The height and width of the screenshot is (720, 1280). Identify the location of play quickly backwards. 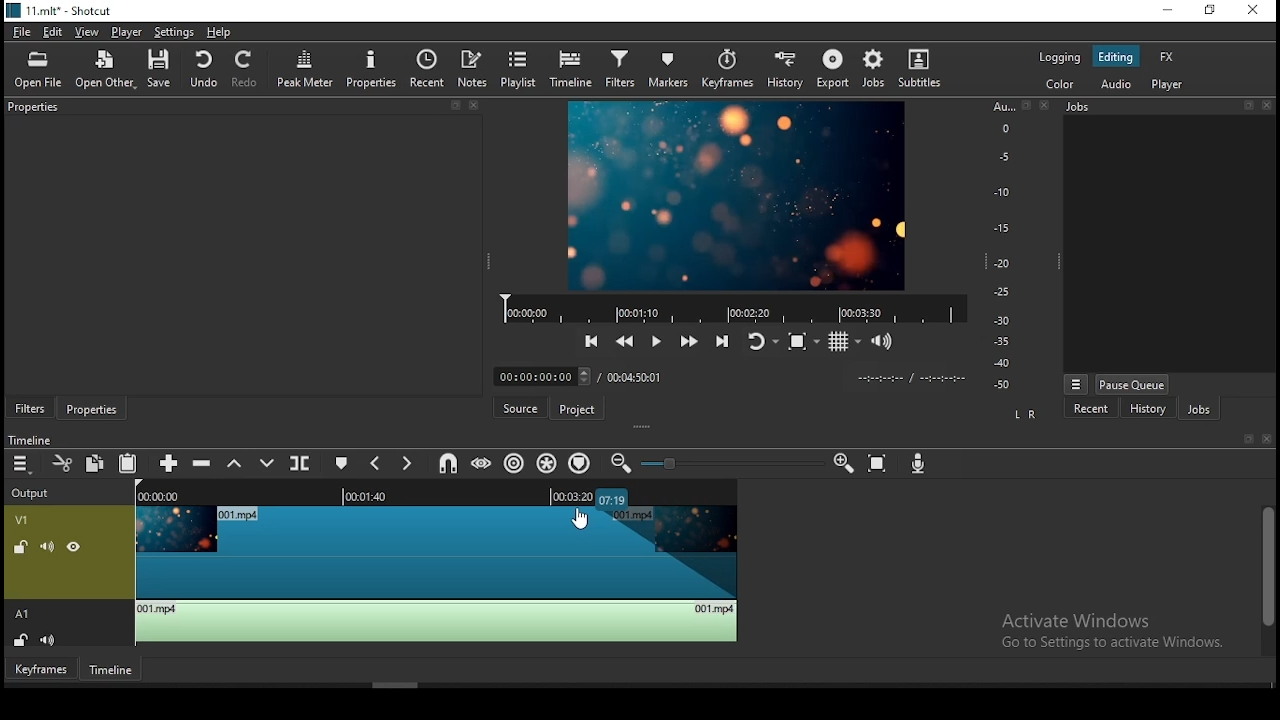
(623, 342).